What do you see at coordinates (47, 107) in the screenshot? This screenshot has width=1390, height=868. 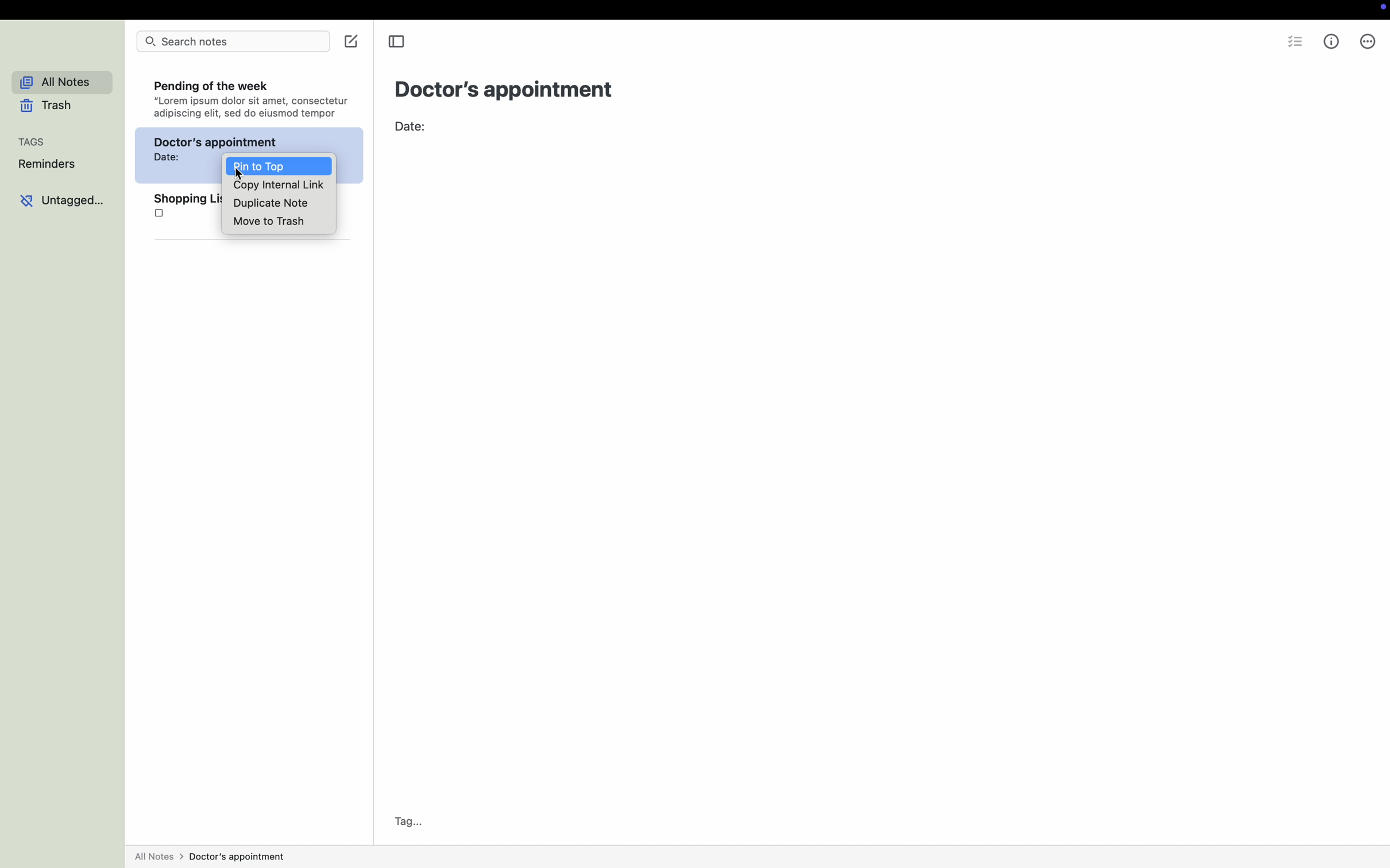 I see `trash` at bounding box center [47, 107].